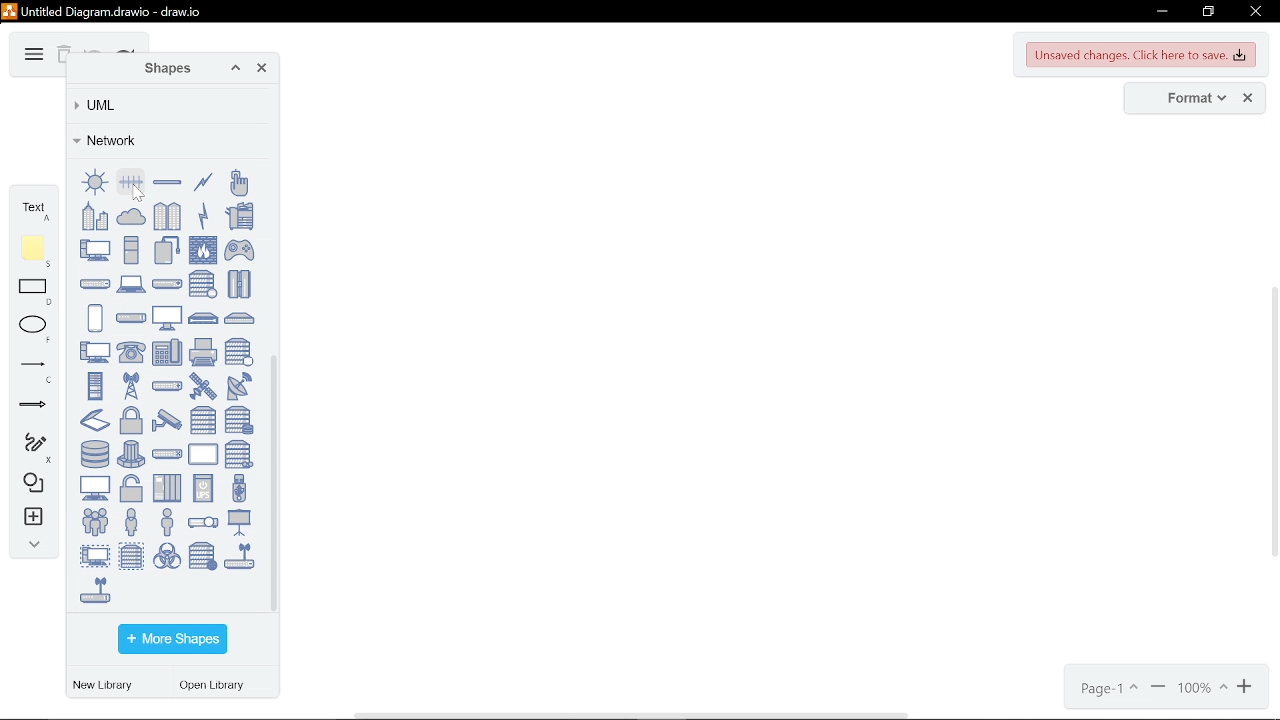 The width and height of the screenshot is (1280, 720). What do you see at coordinates (239, 488) in the screenshot?
I see `USB stick` at bounding box center [239, 488].